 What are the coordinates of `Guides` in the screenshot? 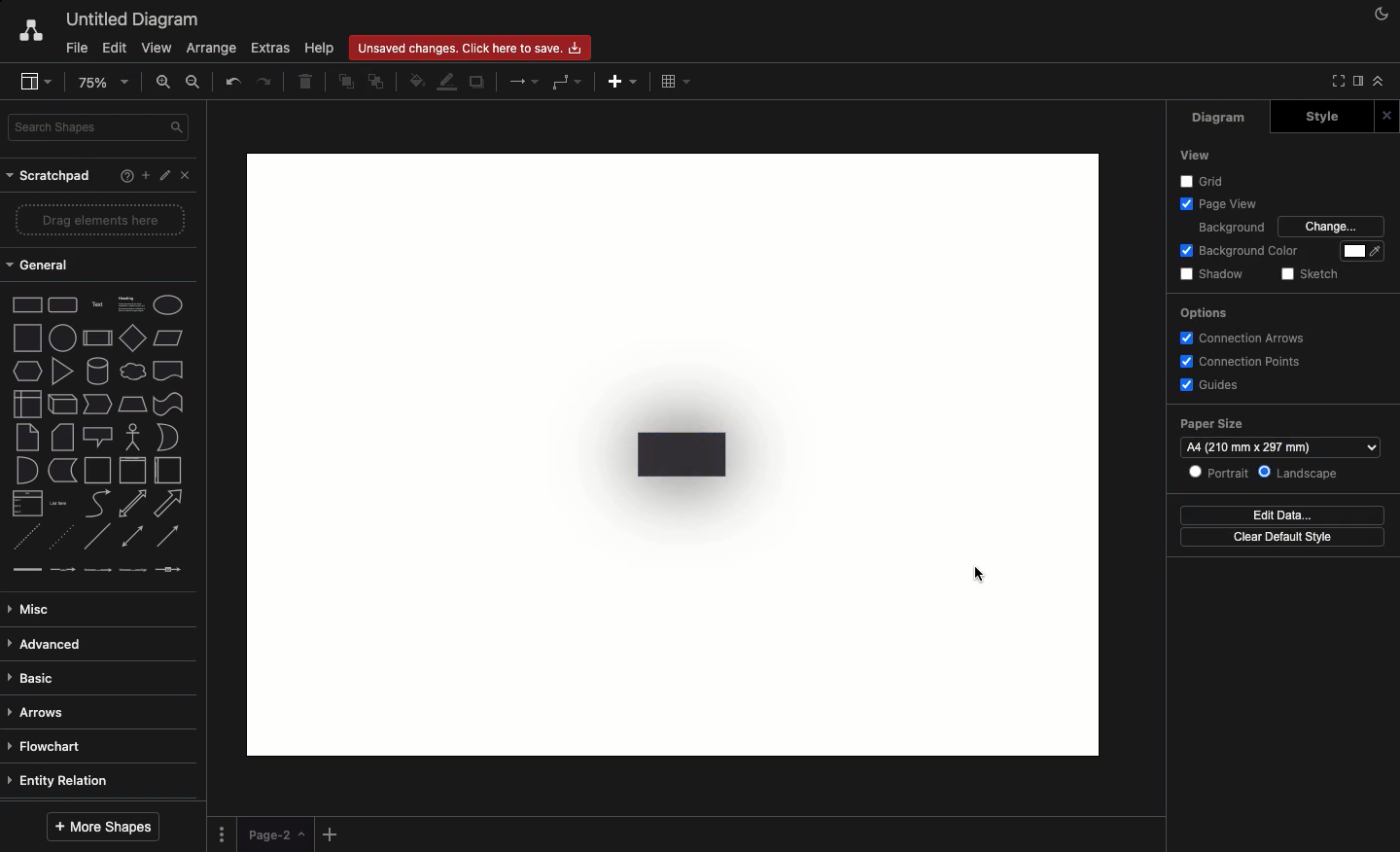 It's located at (1213, 384).